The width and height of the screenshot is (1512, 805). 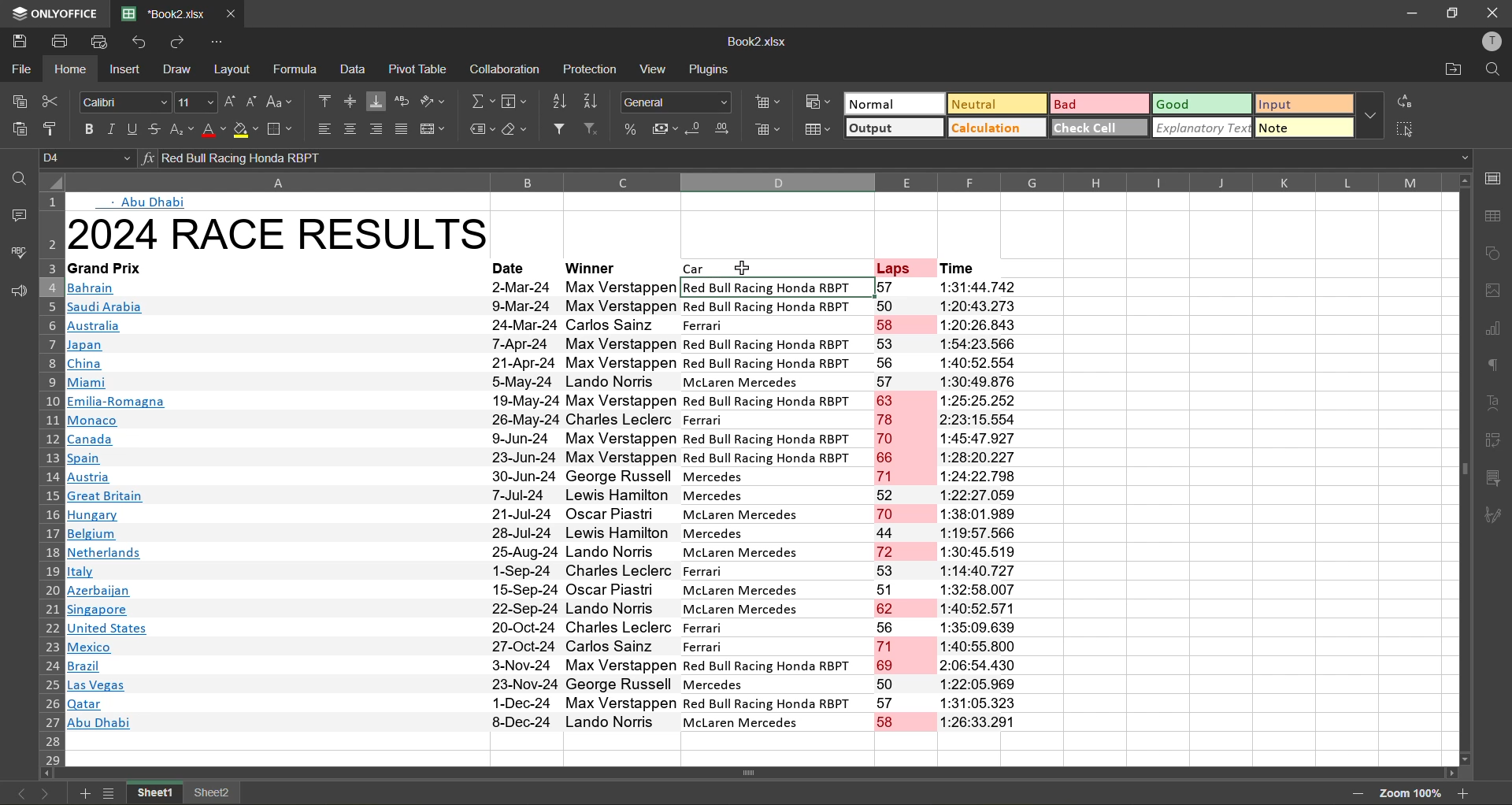 I want to click on percent, so click(x=632, y=128).